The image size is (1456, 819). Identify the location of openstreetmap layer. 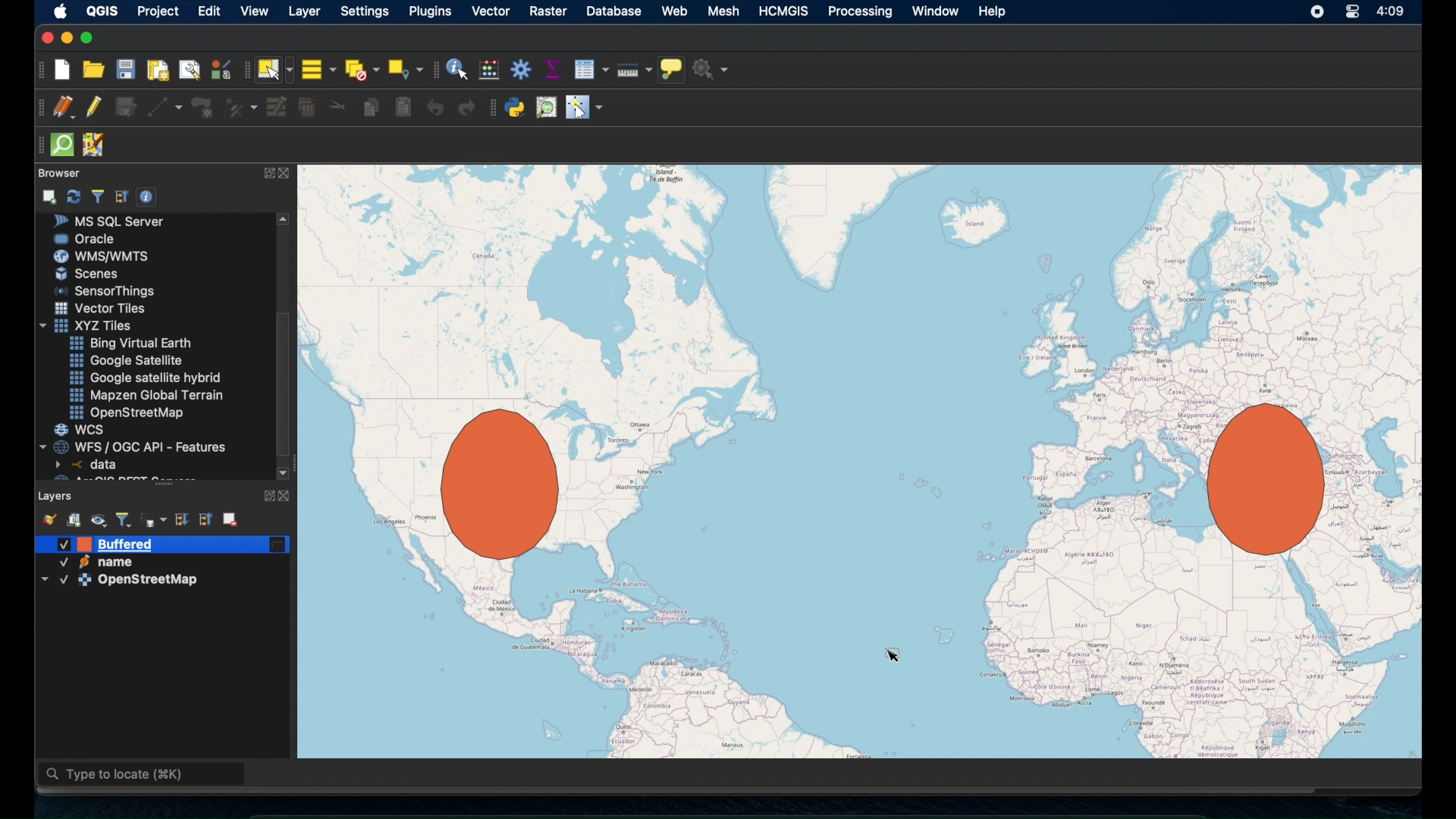
(121, 584).